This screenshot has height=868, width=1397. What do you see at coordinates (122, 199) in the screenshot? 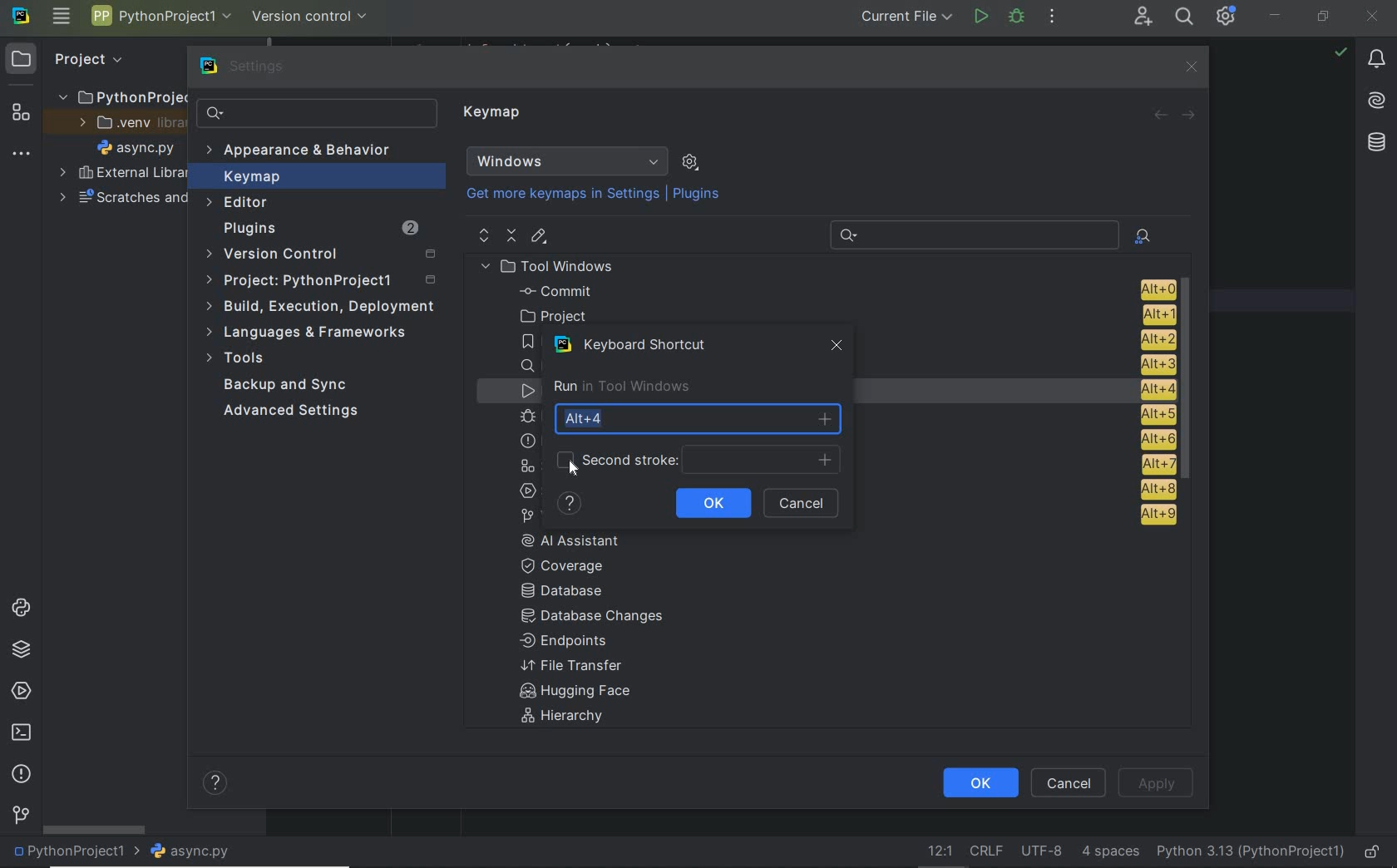
I see `scratches and consoles` at bounding box center [122, 199].